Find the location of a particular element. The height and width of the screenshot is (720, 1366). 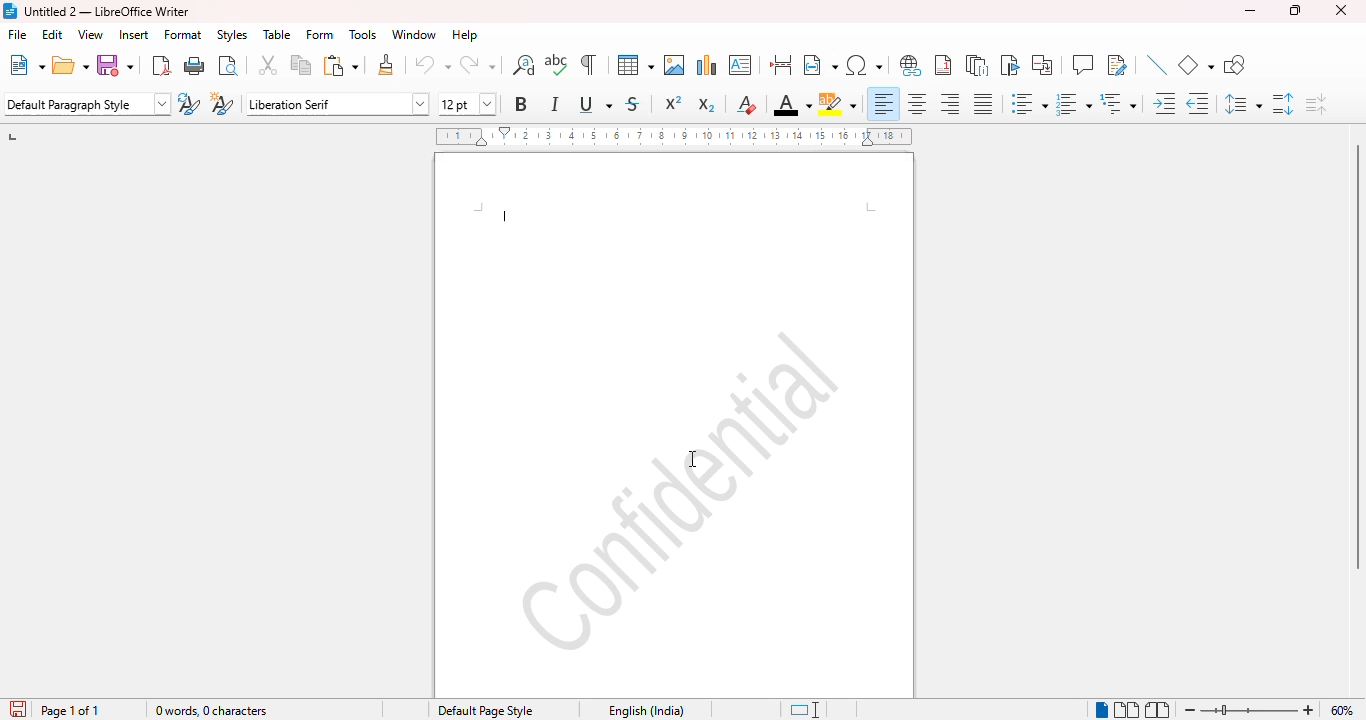

superscript is located at coordinates (673, 102).